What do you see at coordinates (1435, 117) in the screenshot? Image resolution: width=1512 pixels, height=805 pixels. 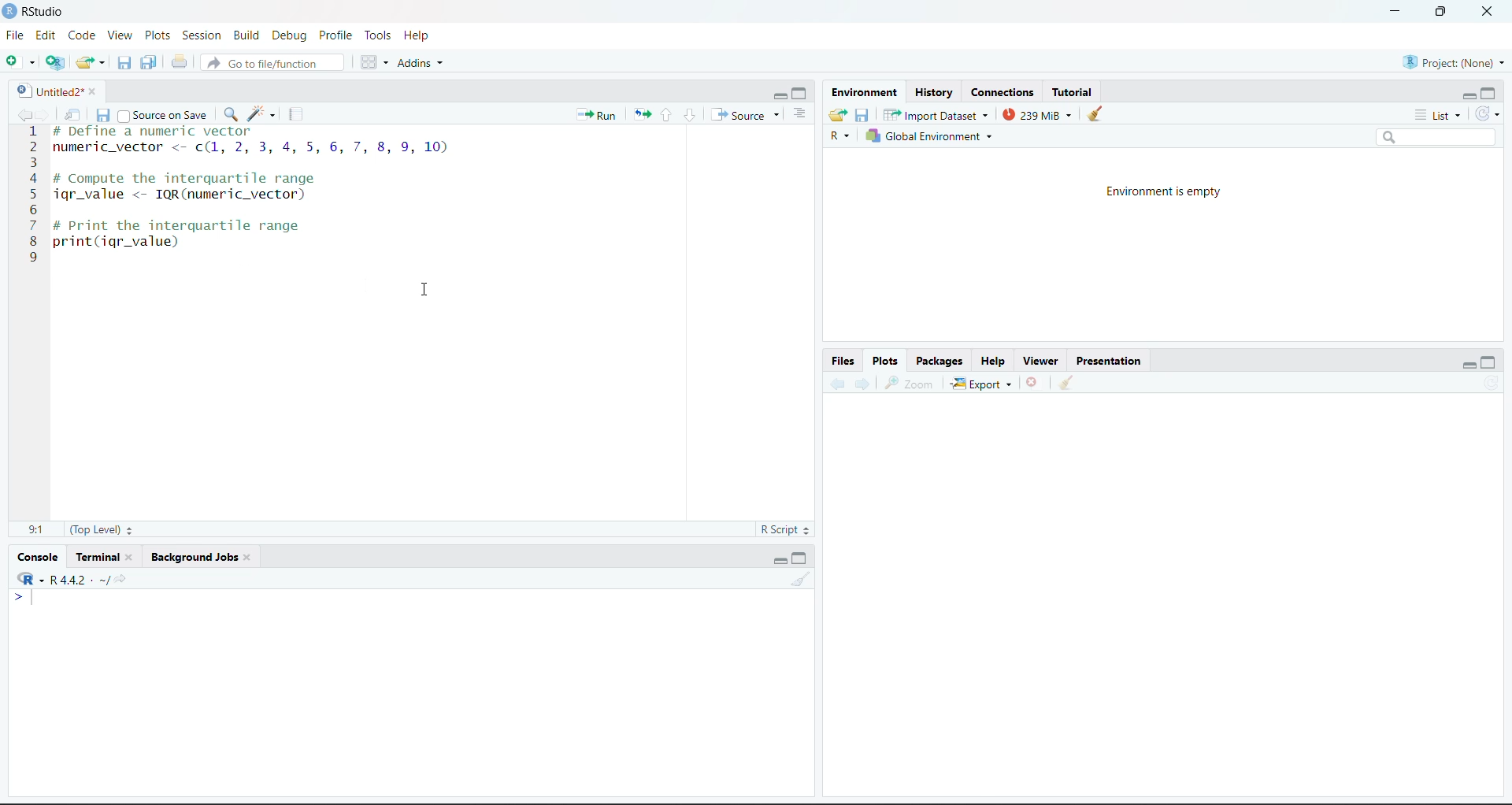 I see `List` at bounding box center [1435, 117].